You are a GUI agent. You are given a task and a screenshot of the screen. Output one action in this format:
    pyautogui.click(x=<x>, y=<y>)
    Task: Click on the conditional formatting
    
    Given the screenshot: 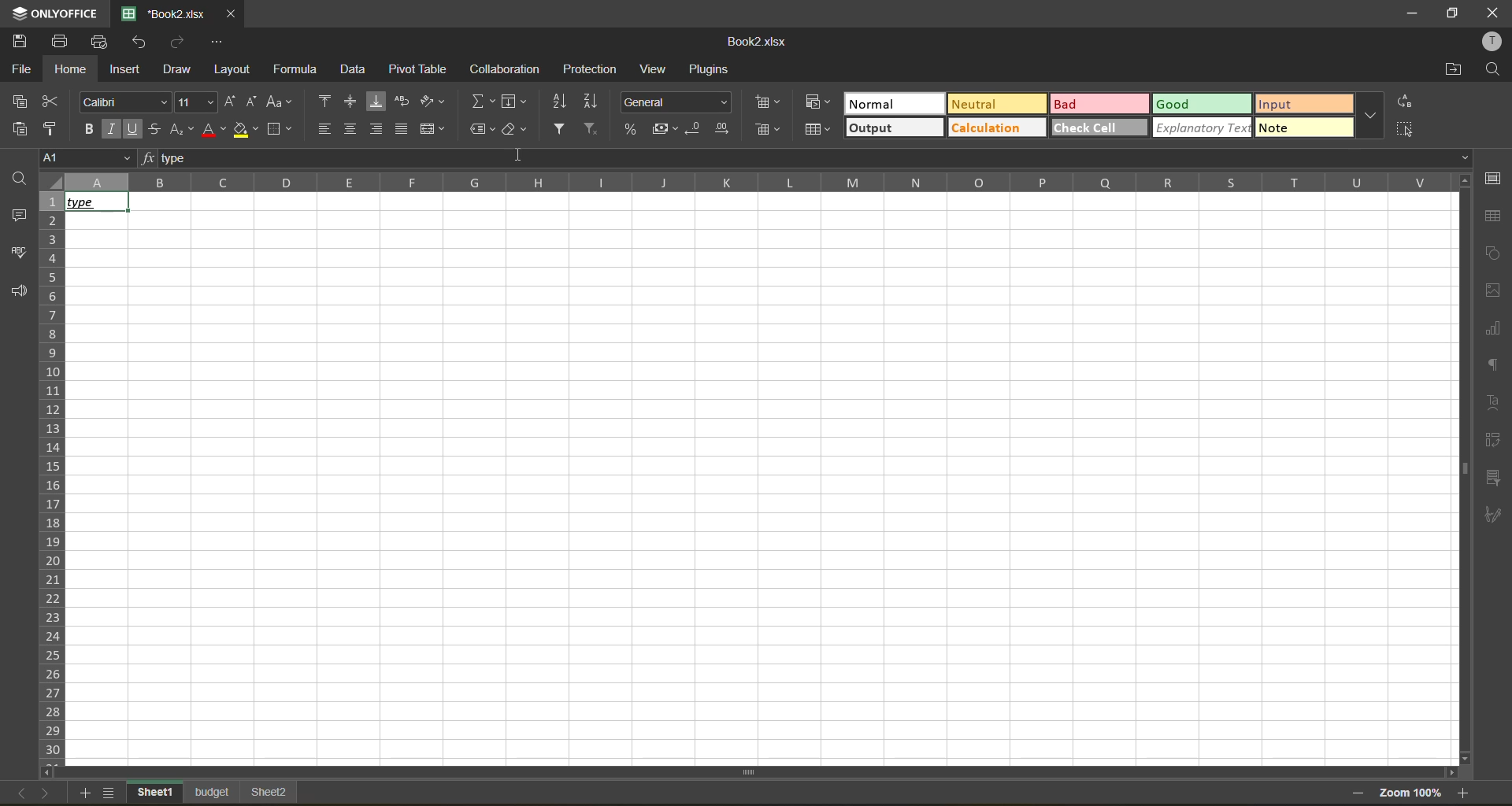 What is the action you would take?
    pyautogui.click(x=817, y=102)
    